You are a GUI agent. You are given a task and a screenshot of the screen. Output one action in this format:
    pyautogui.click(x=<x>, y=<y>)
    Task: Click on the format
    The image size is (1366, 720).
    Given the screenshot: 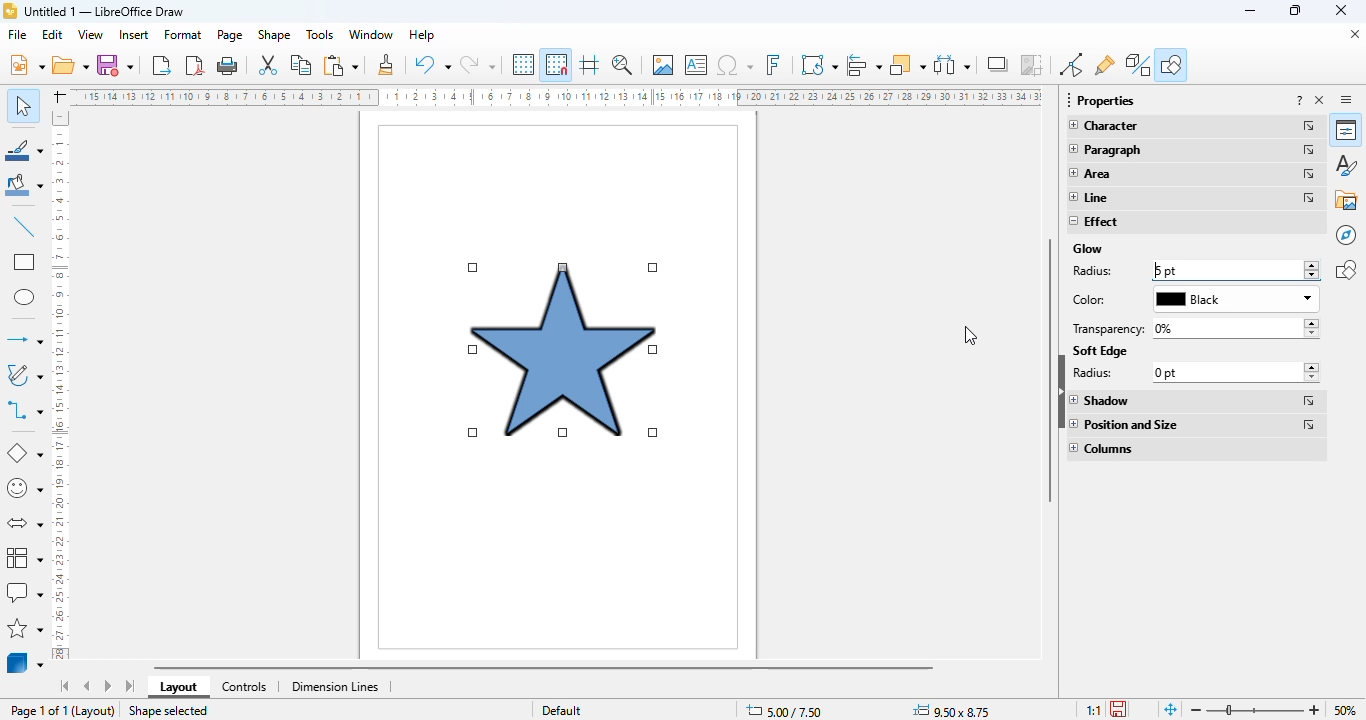 What is the action you would take?
    pyautogui.click(x=183, y=35)
    